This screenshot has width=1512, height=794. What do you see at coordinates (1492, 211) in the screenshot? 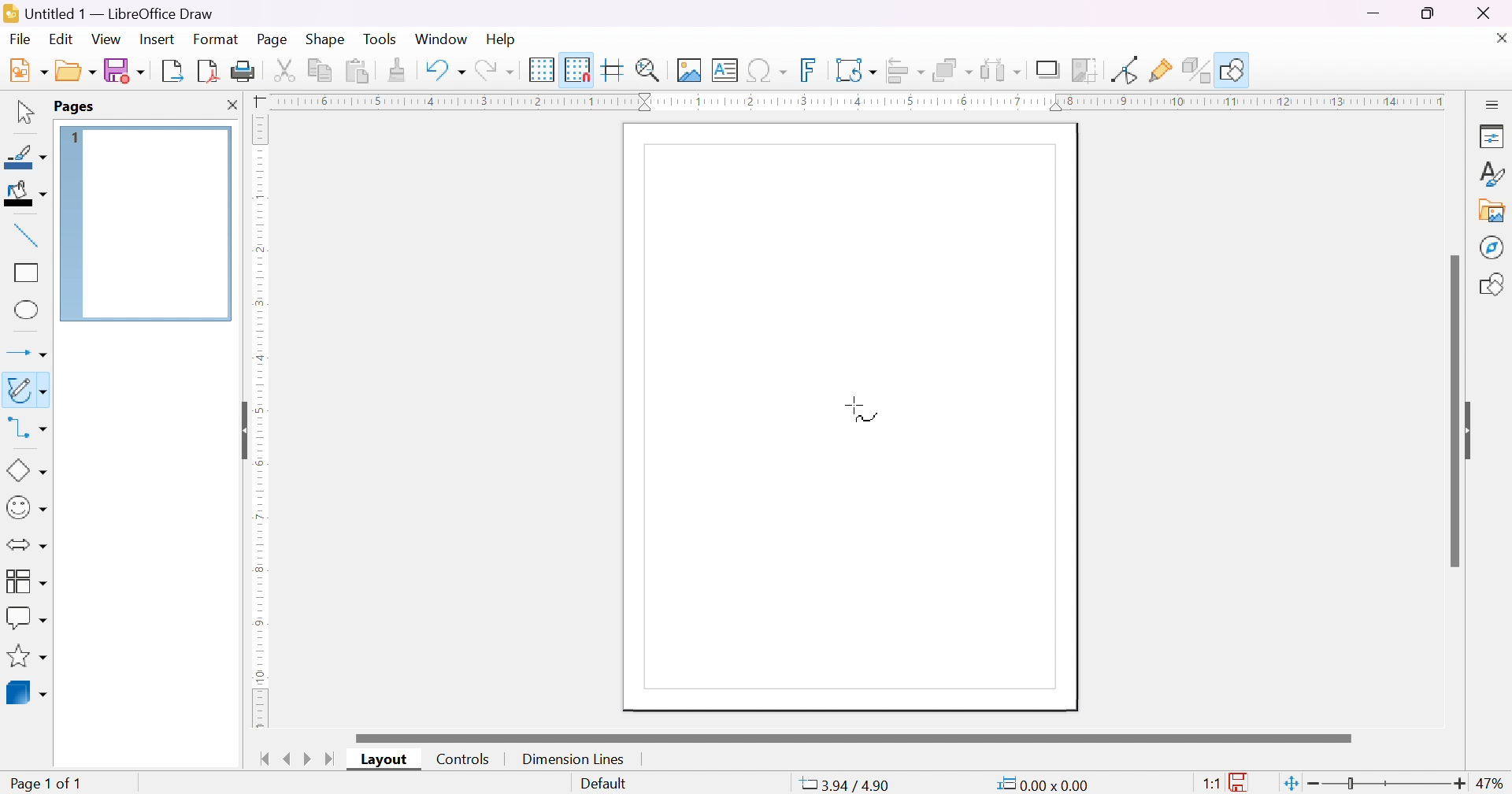
I see `gallery` at bounding box center [1492, 211].